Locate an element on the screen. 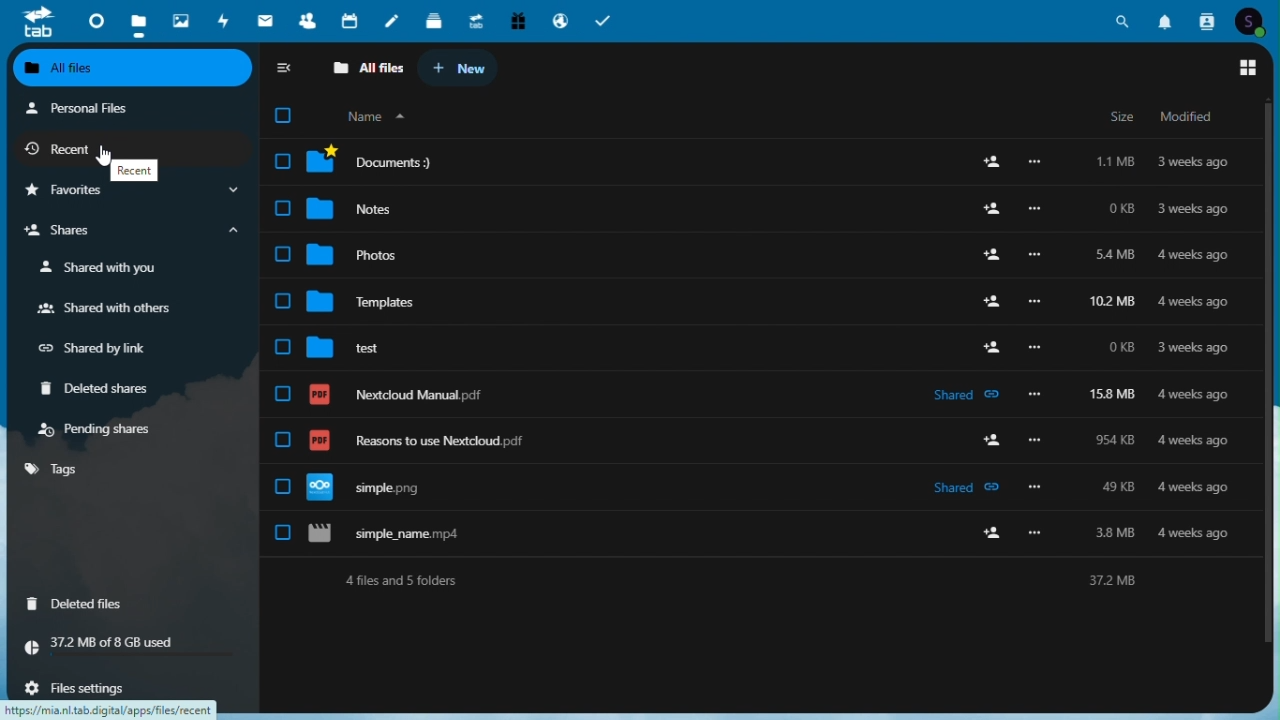  Contacts is located at coordinates (1208, 19).